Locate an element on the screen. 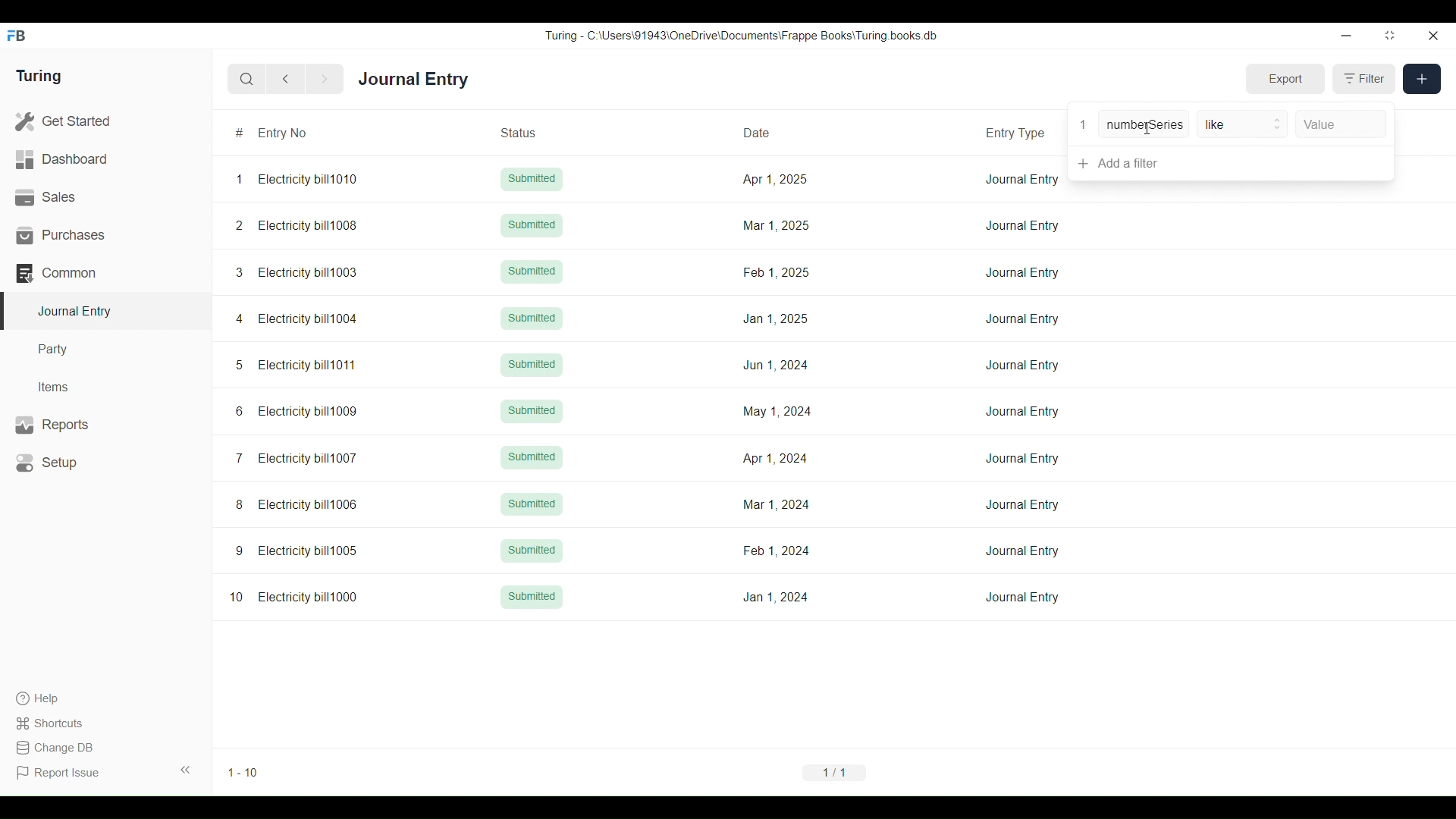  Journal Entry is located at coordinates (1022, 318).